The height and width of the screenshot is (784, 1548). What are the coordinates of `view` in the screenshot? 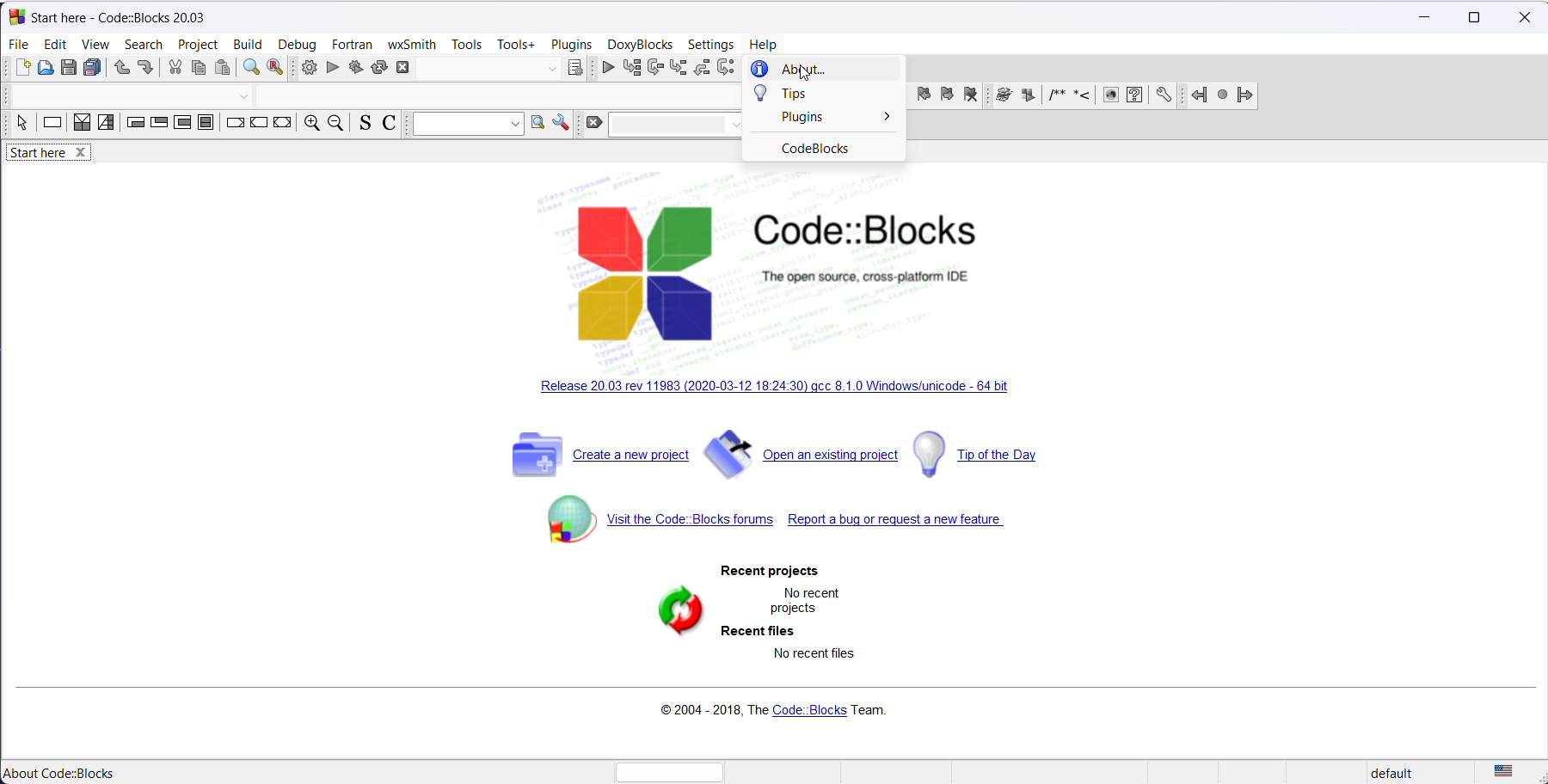 It's located at (96, 44).